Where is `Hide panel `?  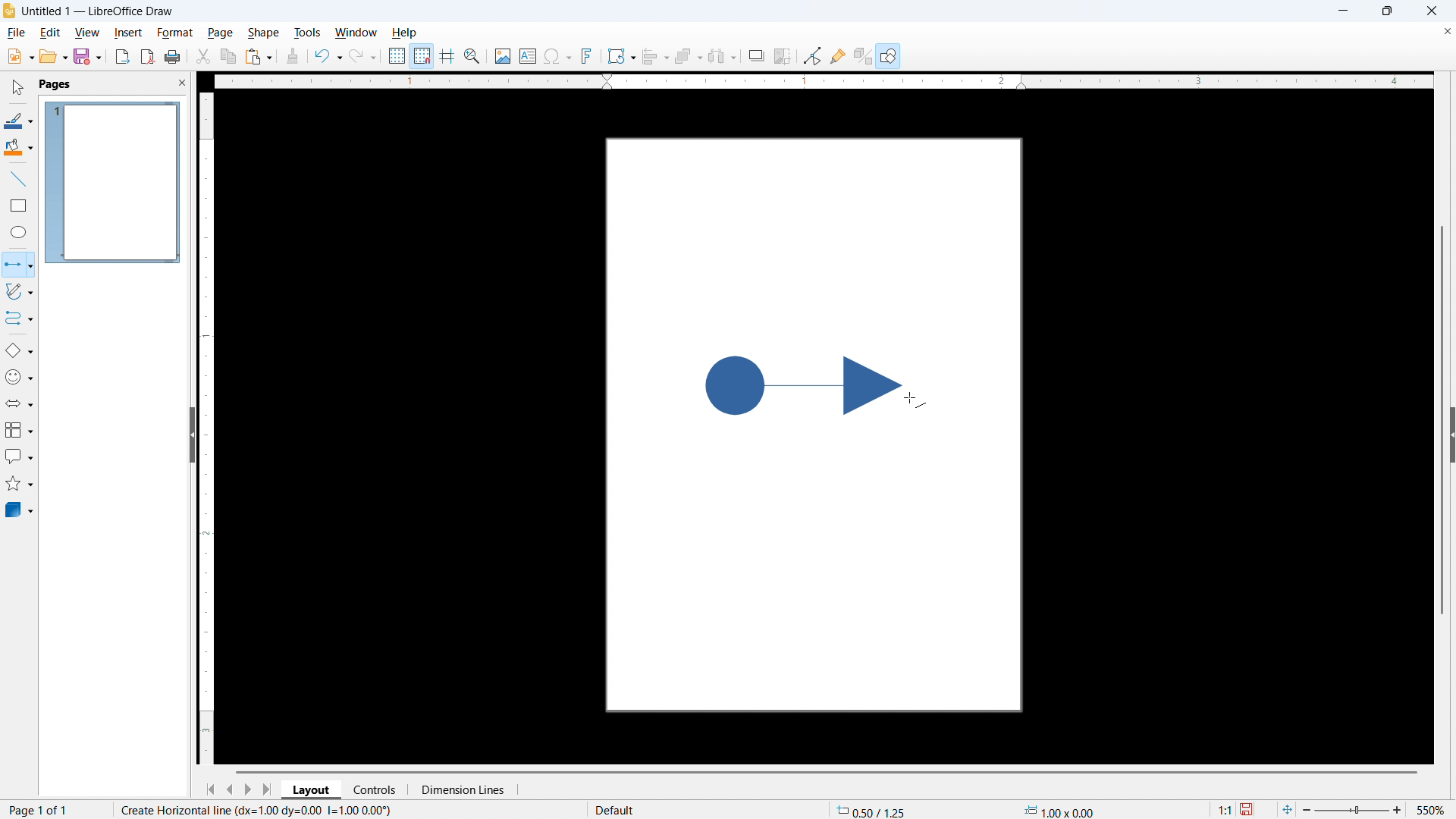 Hide panel  is located at coordinates (191, 432).